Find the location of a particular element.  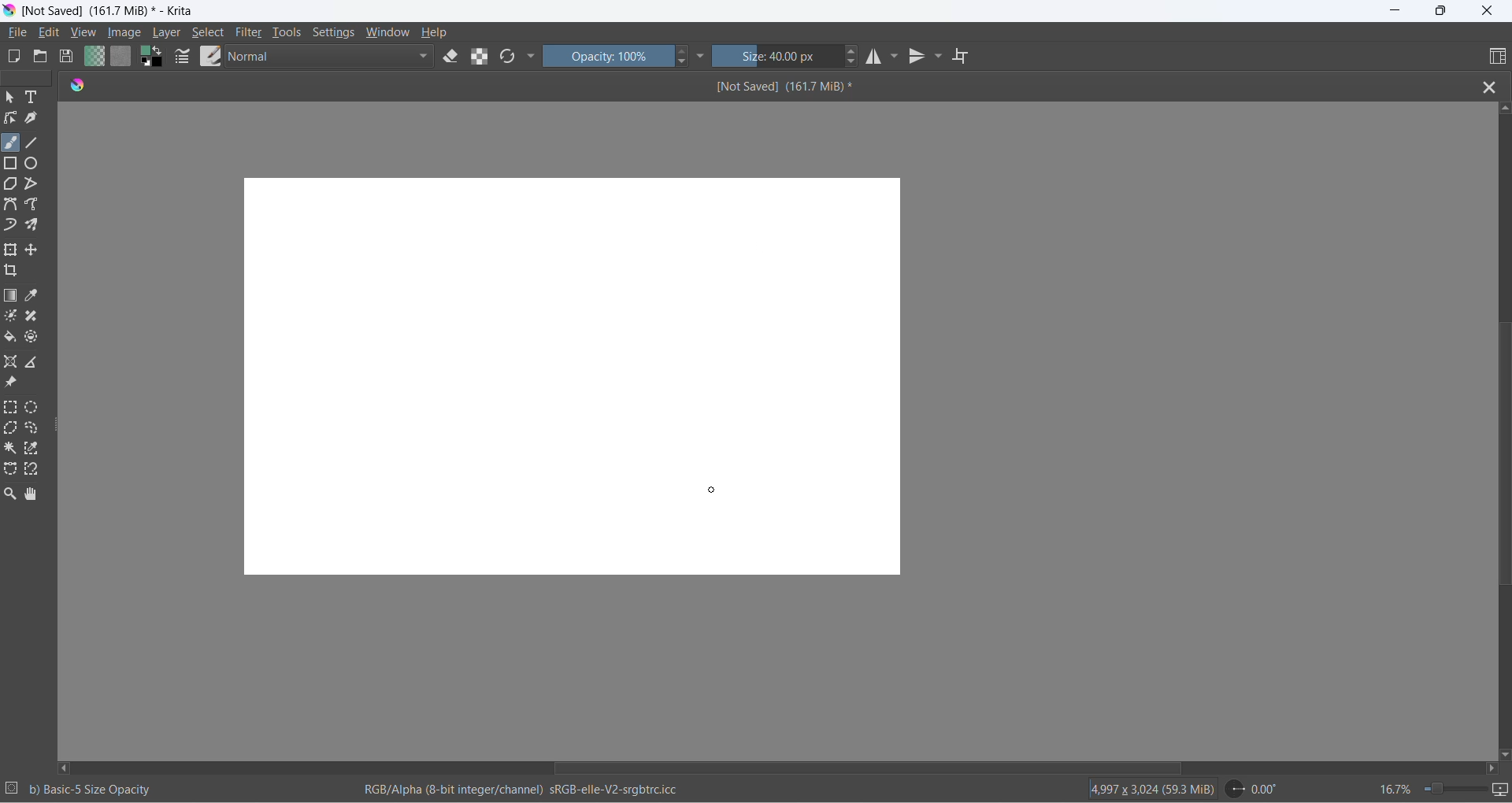

tools is located at coordinates (289, 35).